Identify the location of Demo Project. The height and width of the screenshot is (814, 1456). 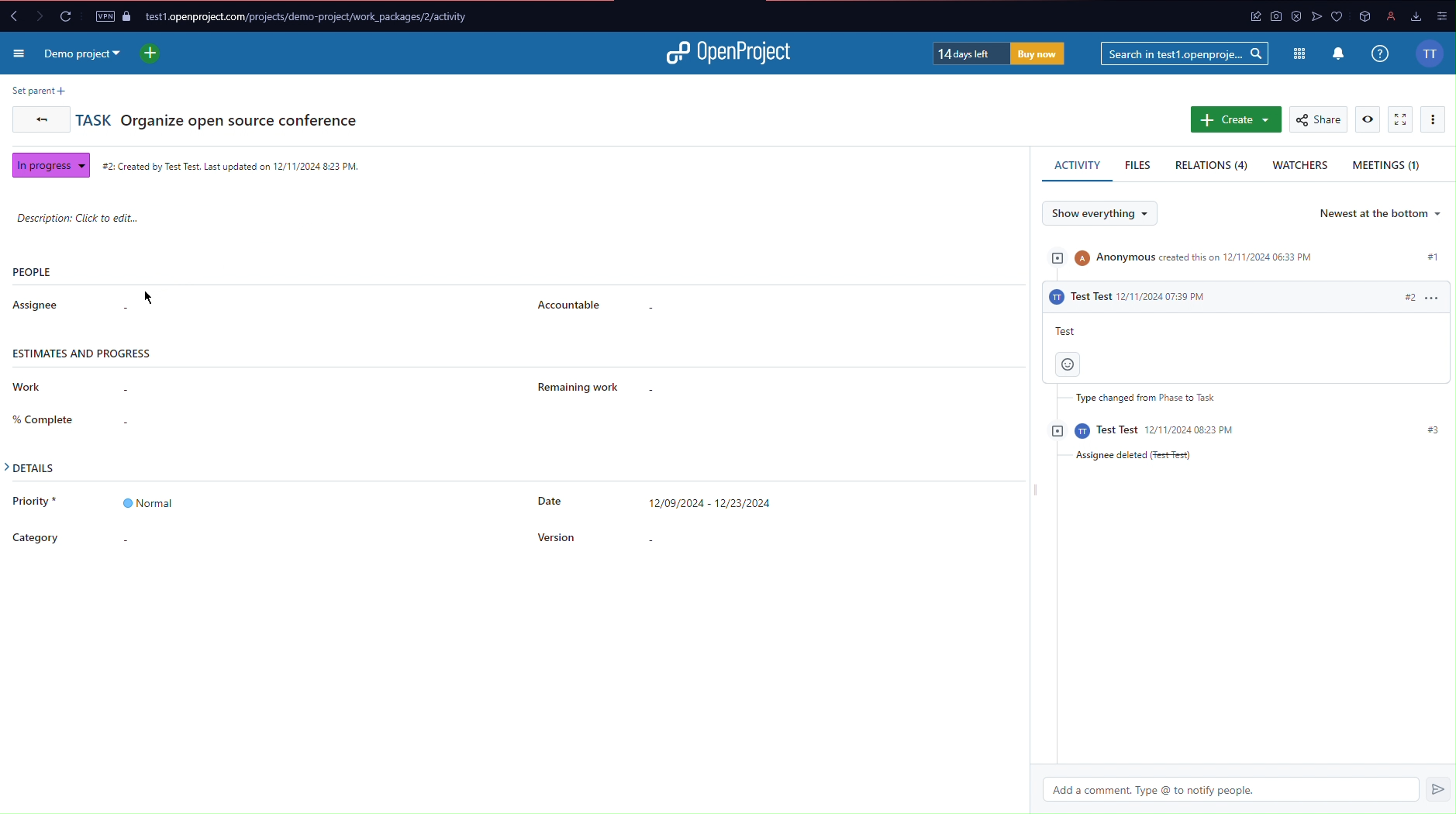
(85, 57).